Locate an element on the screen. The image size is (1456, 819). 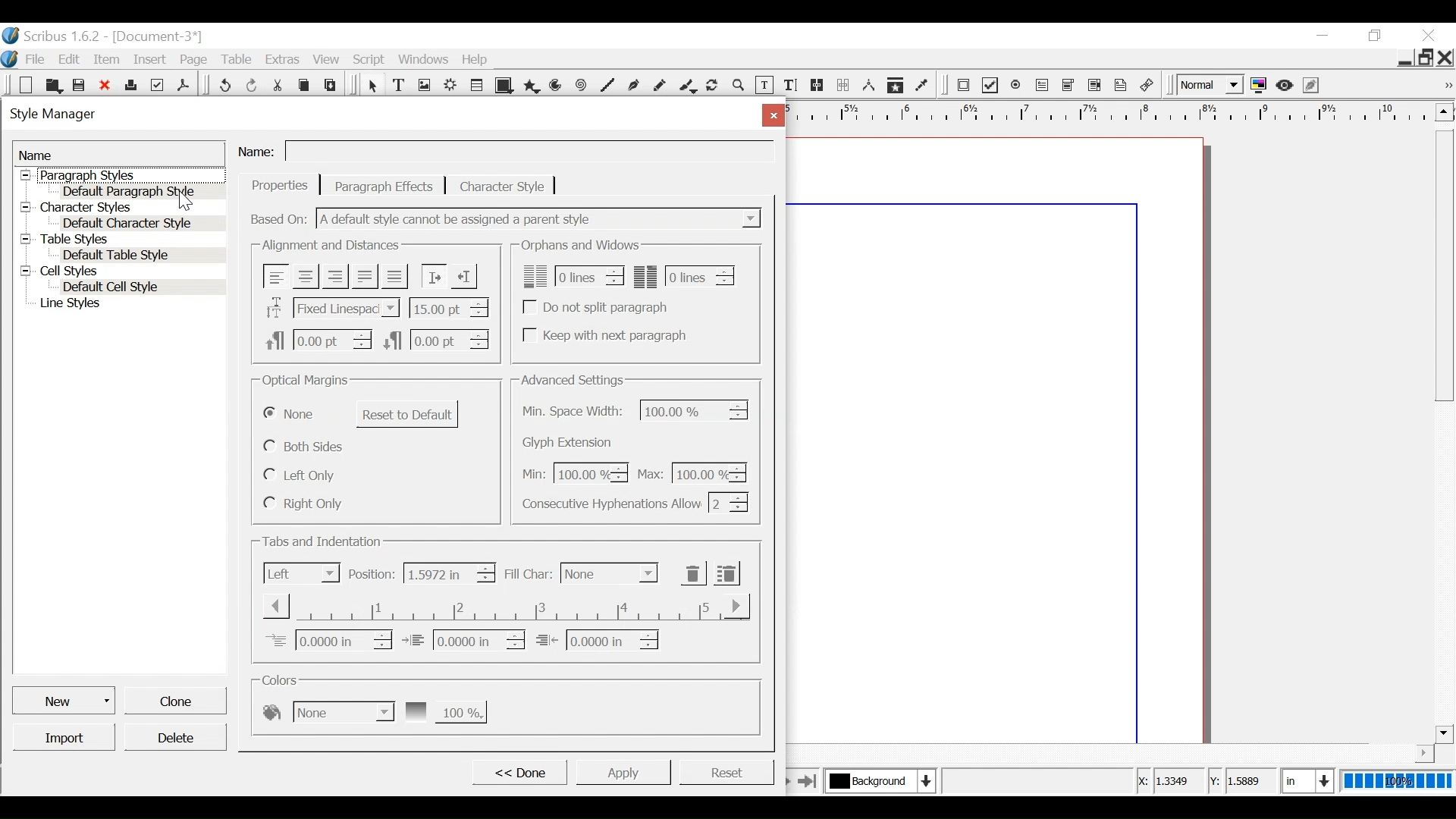
Position is located at coordinates (372, 574).